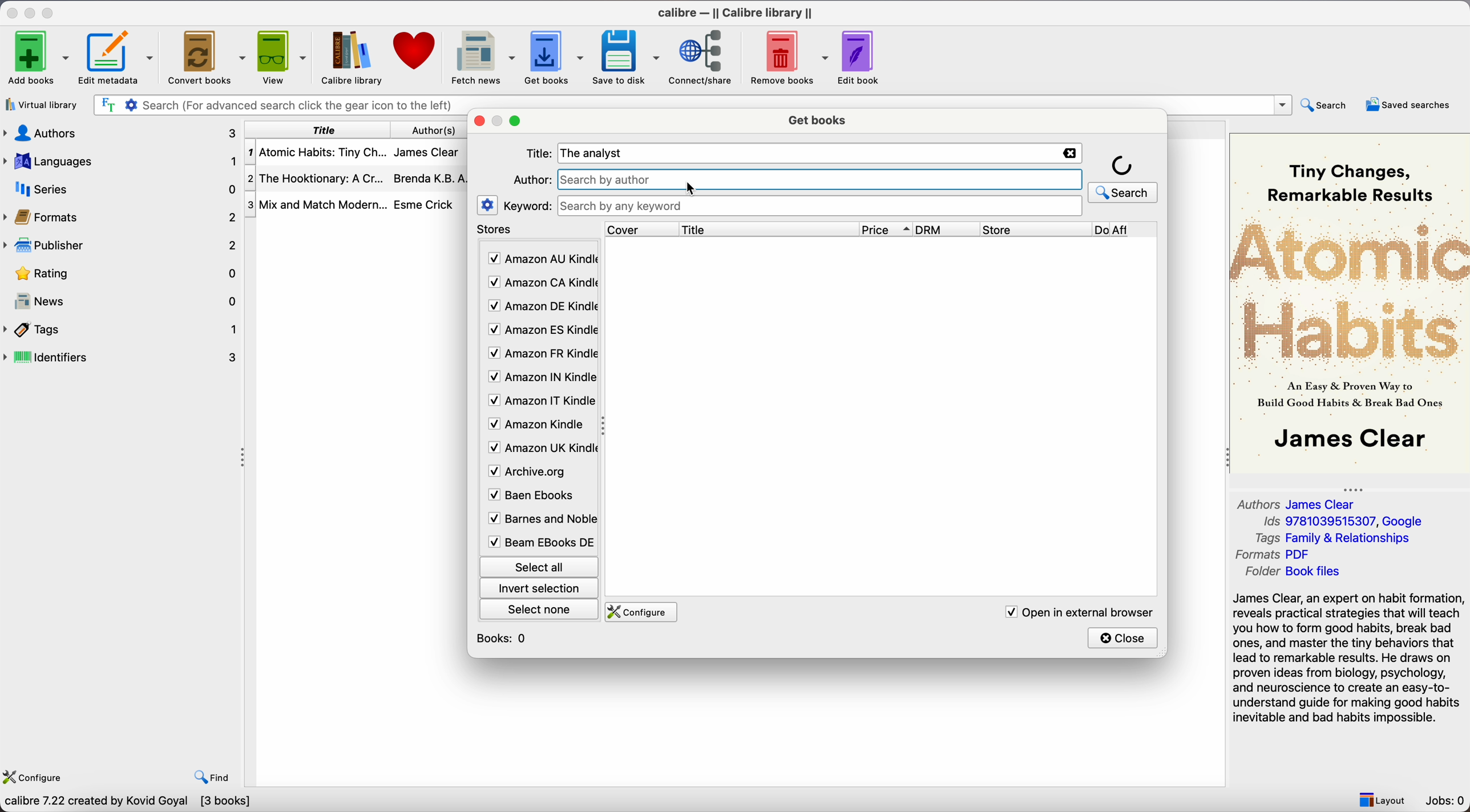 This screenshot has height=812, width=1470. I want to click on clear, so click(1070, 153).